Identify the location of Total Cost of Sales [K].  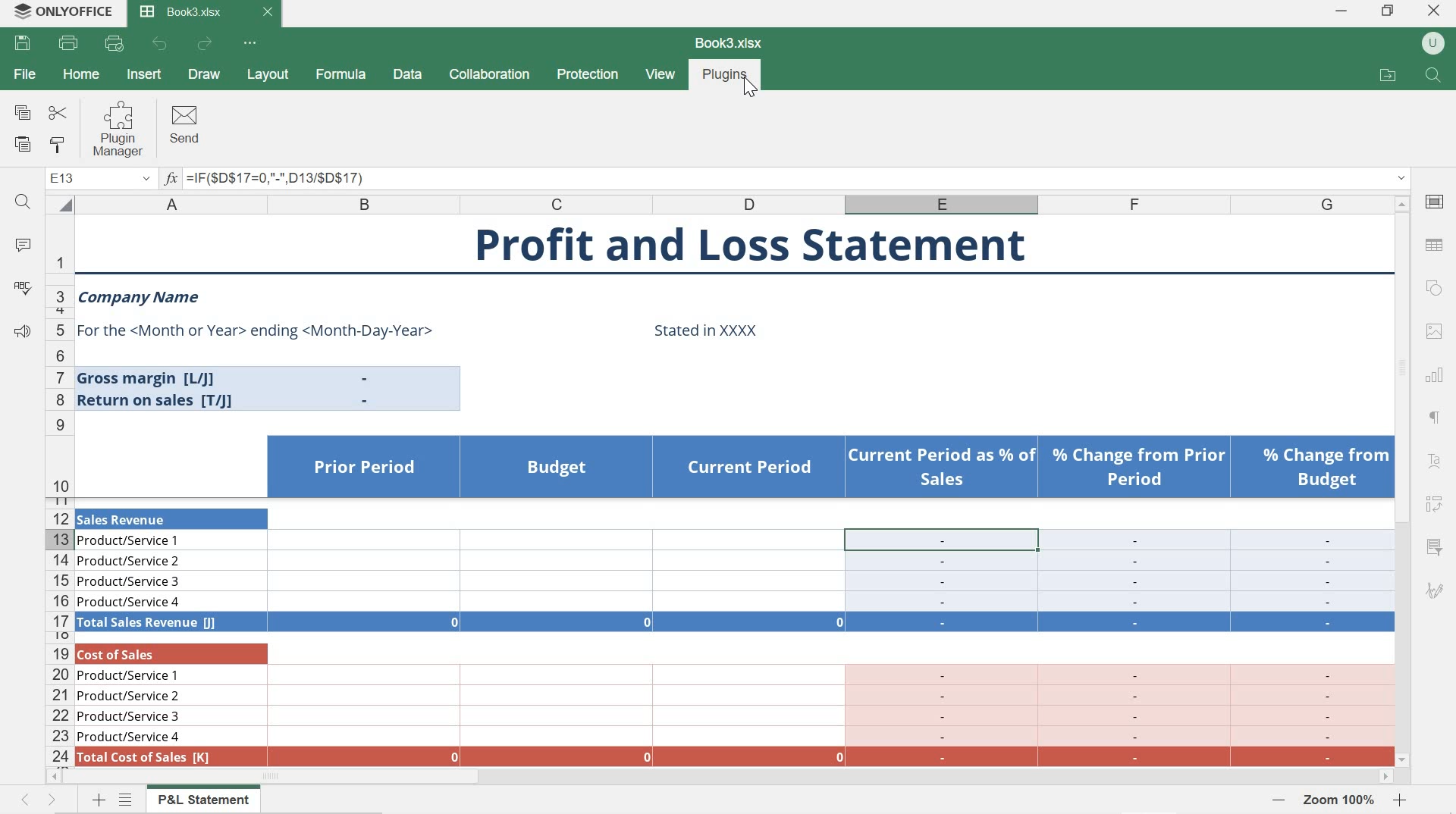
(145, 758).